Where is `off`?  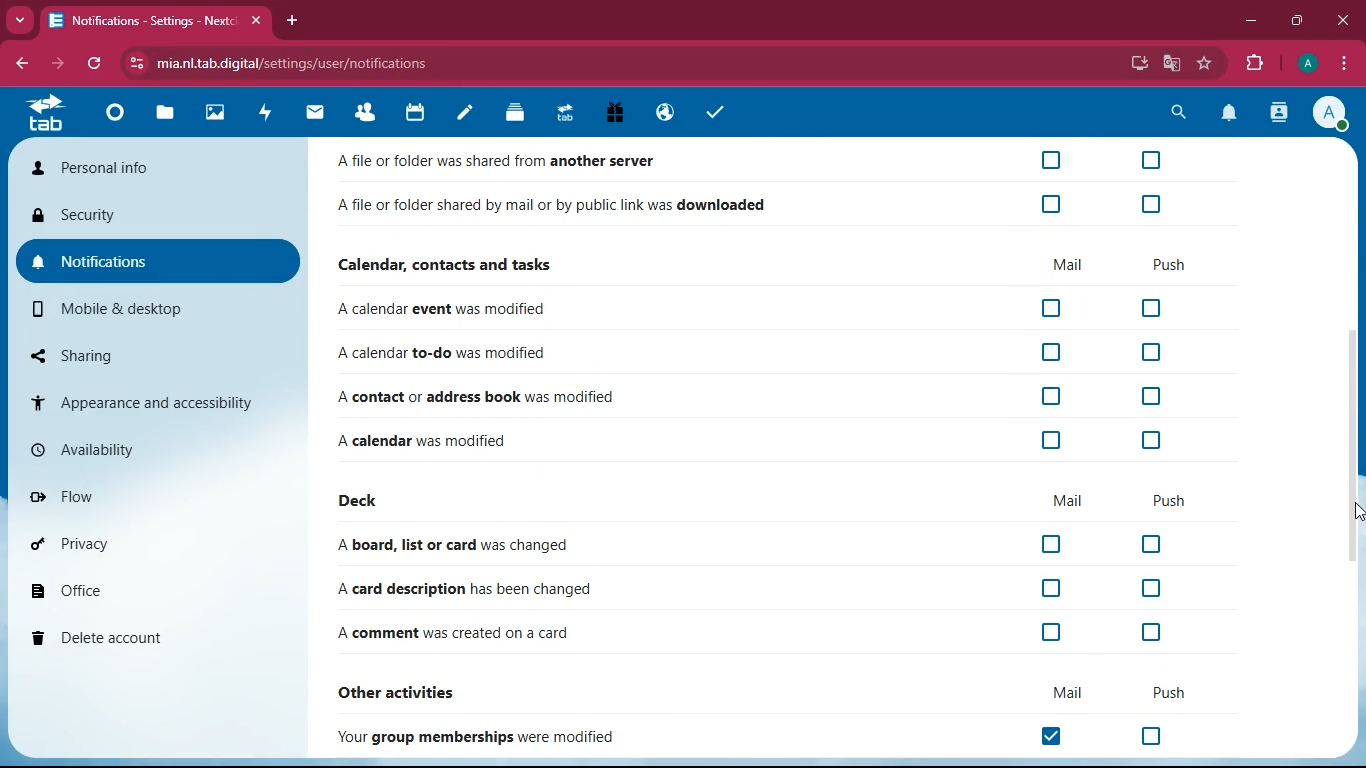
off is located at coordinates (1051, 591).